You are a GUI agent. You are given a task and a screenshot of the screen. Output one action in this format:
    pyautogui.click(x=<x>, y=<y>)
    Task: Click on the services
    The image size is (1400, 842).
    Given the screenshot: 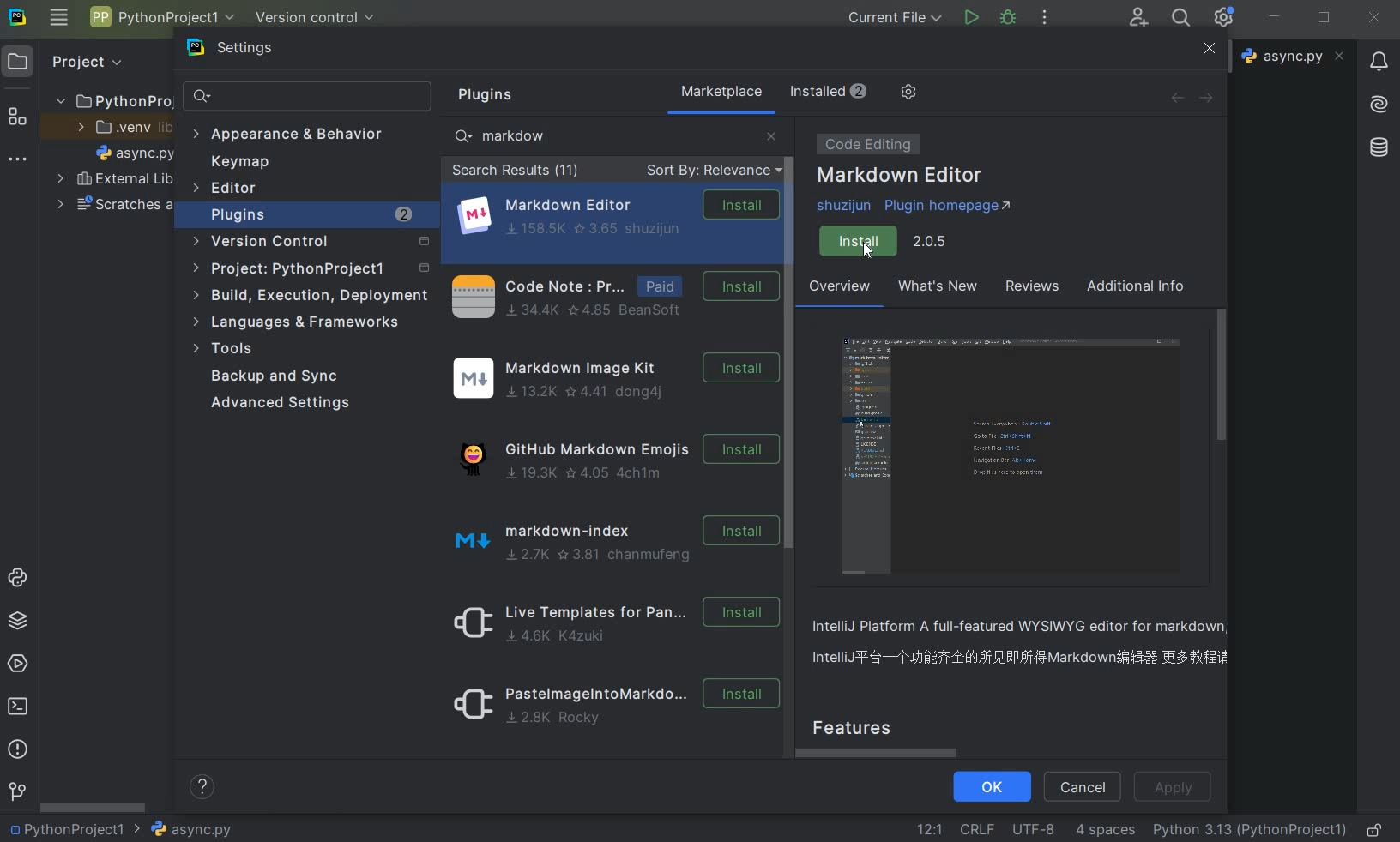 What is the action you would take?
    pyautogui.click(x=17, y=663)
    